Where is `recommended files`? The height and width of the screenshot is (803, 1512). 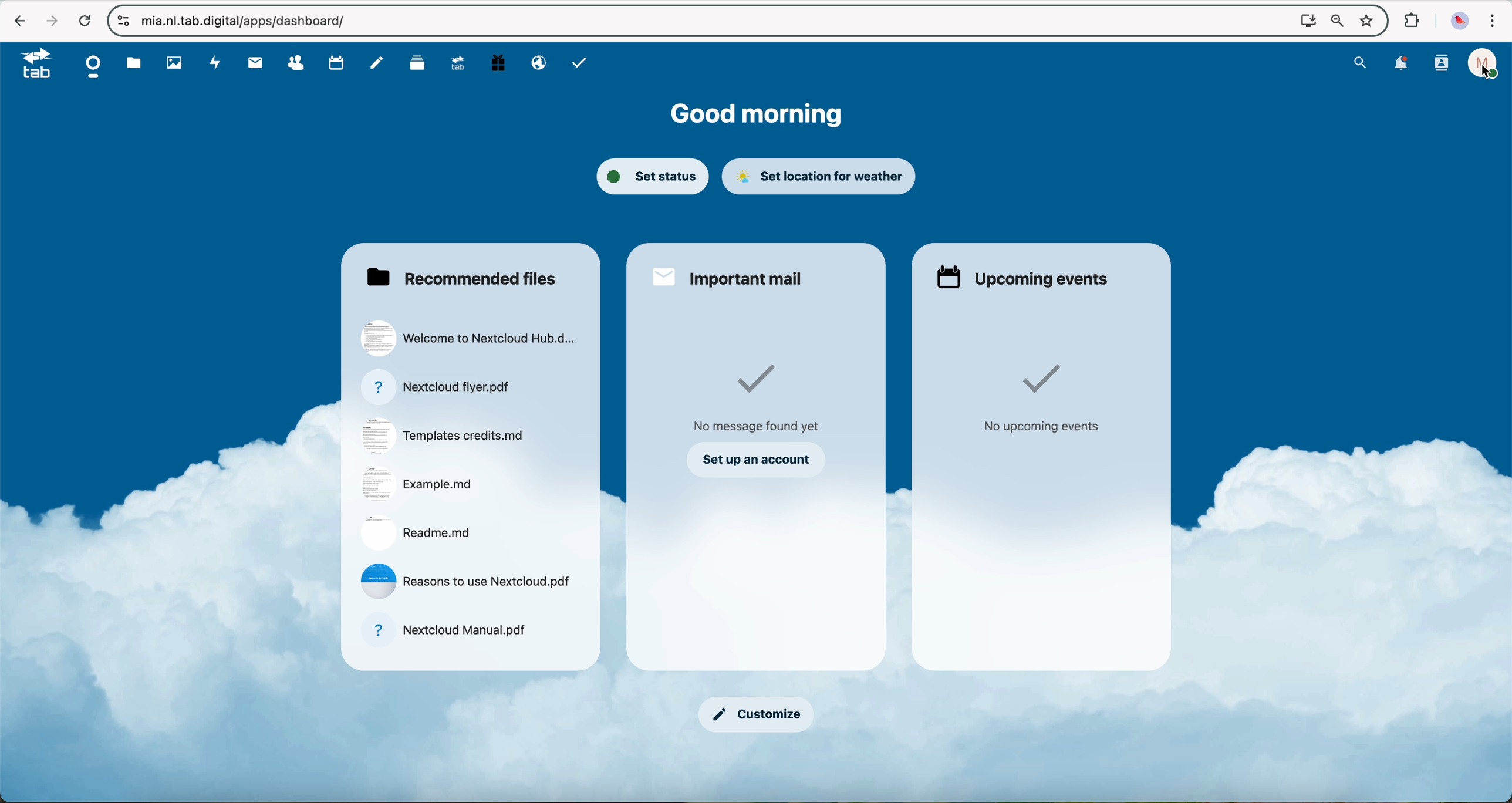
recommended files is located at coordinates (460, 278).